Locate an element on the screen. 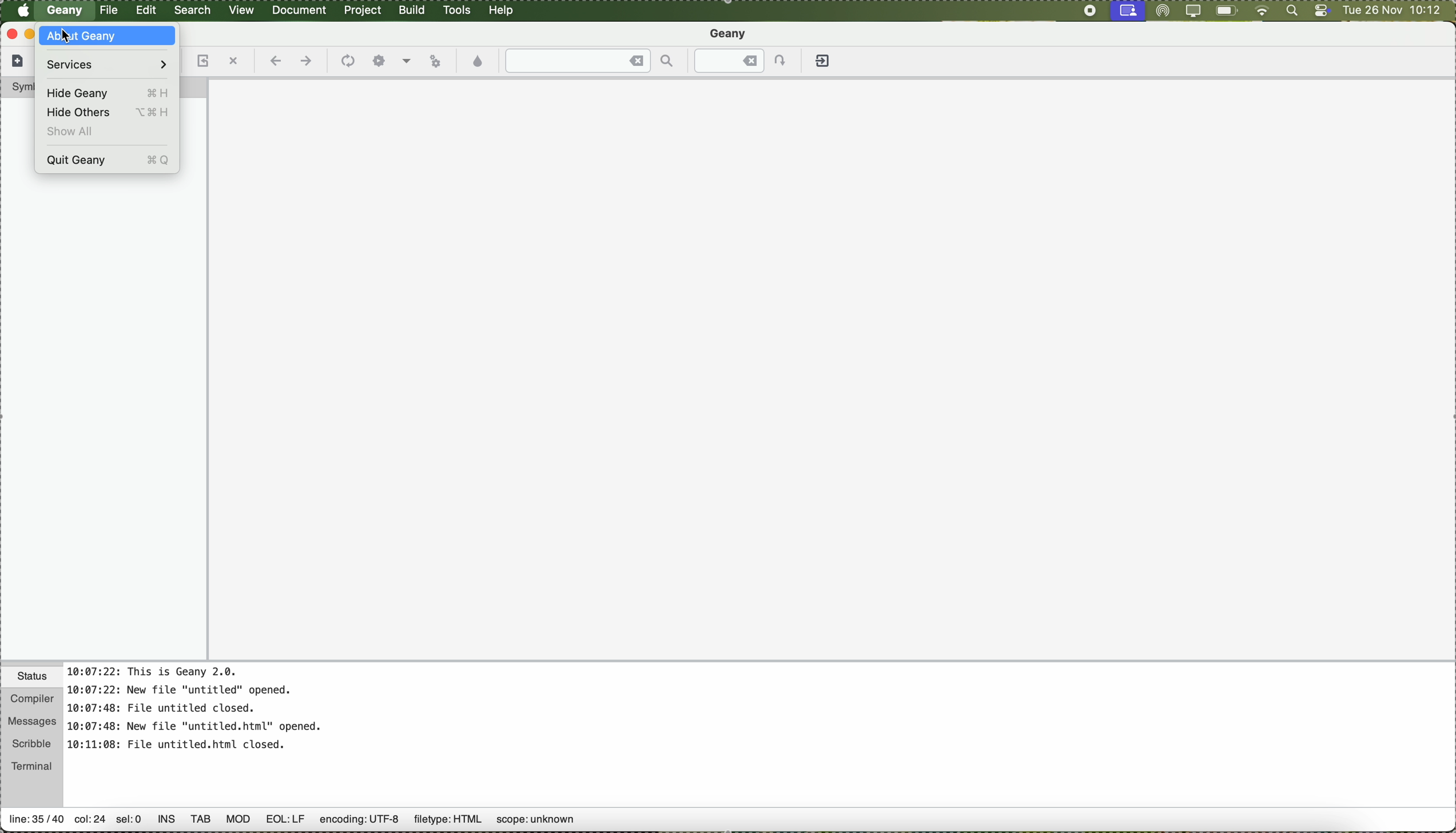 This screenshot has width=1456, height=833. Pointer is located at coordinates (68, 40).